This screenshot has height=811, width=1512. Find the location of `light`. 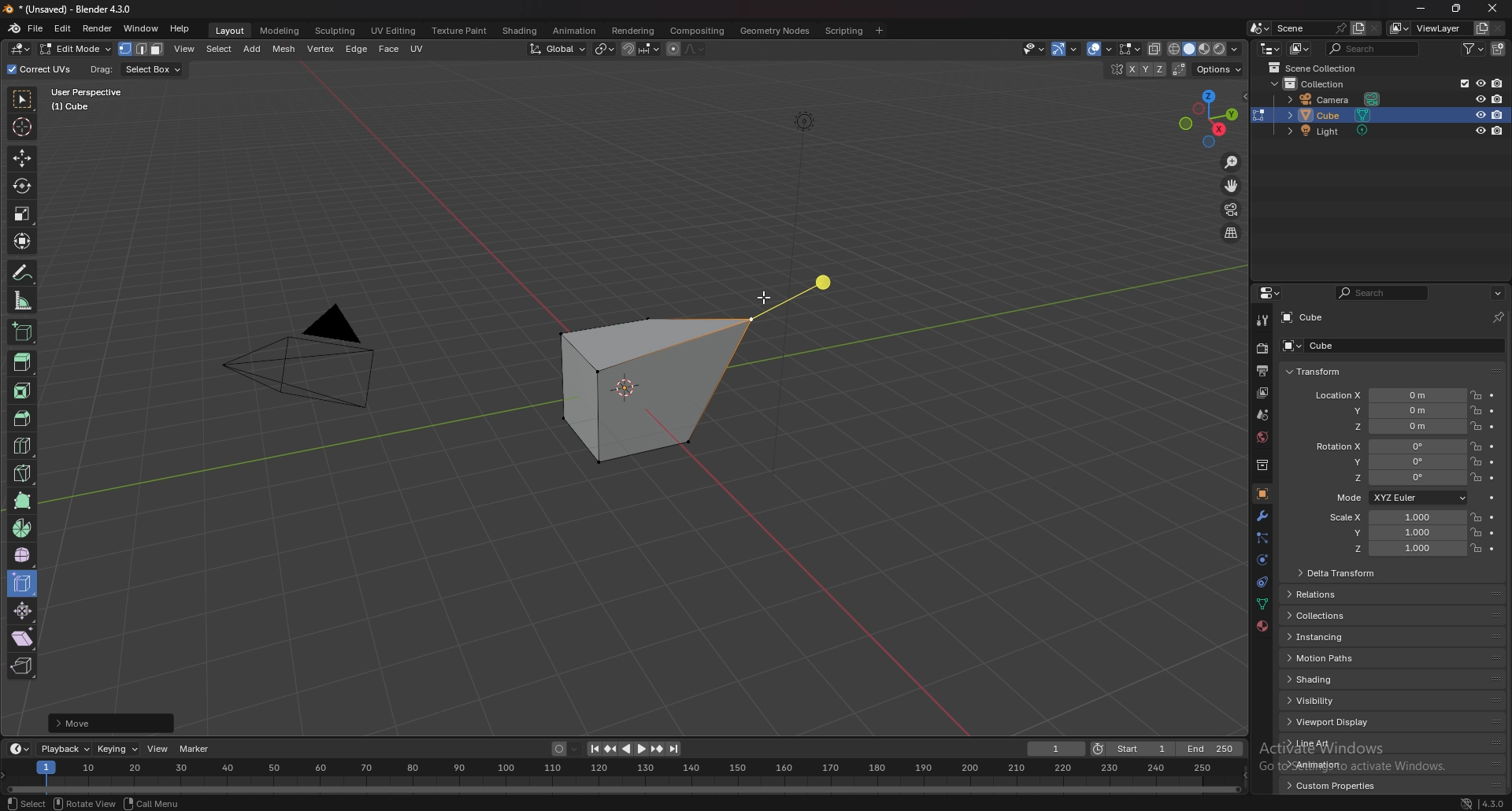

light is located at coordinates (1336, 133).